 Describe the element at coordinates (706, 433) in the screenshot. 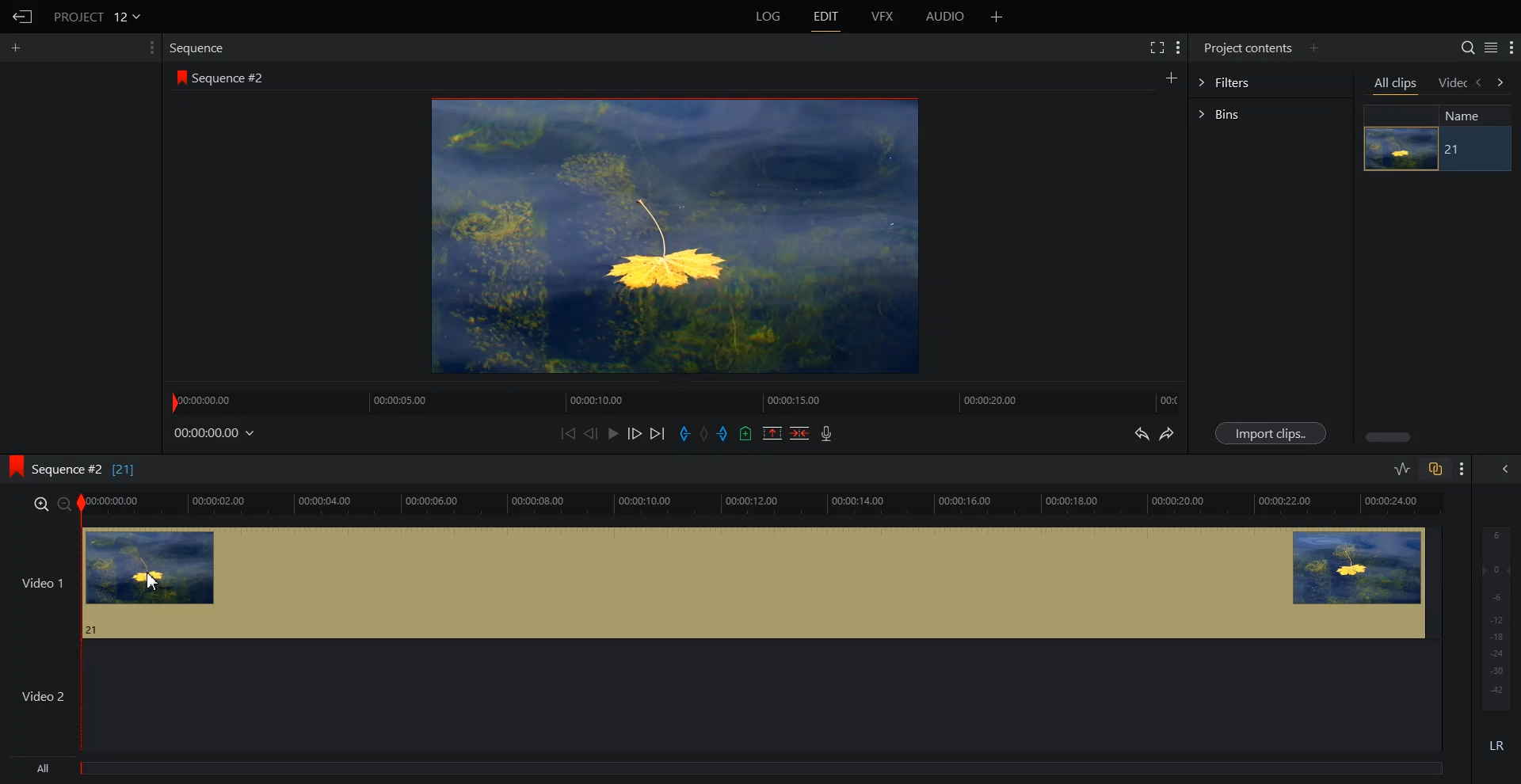

I see `Remove all mark` at that location.